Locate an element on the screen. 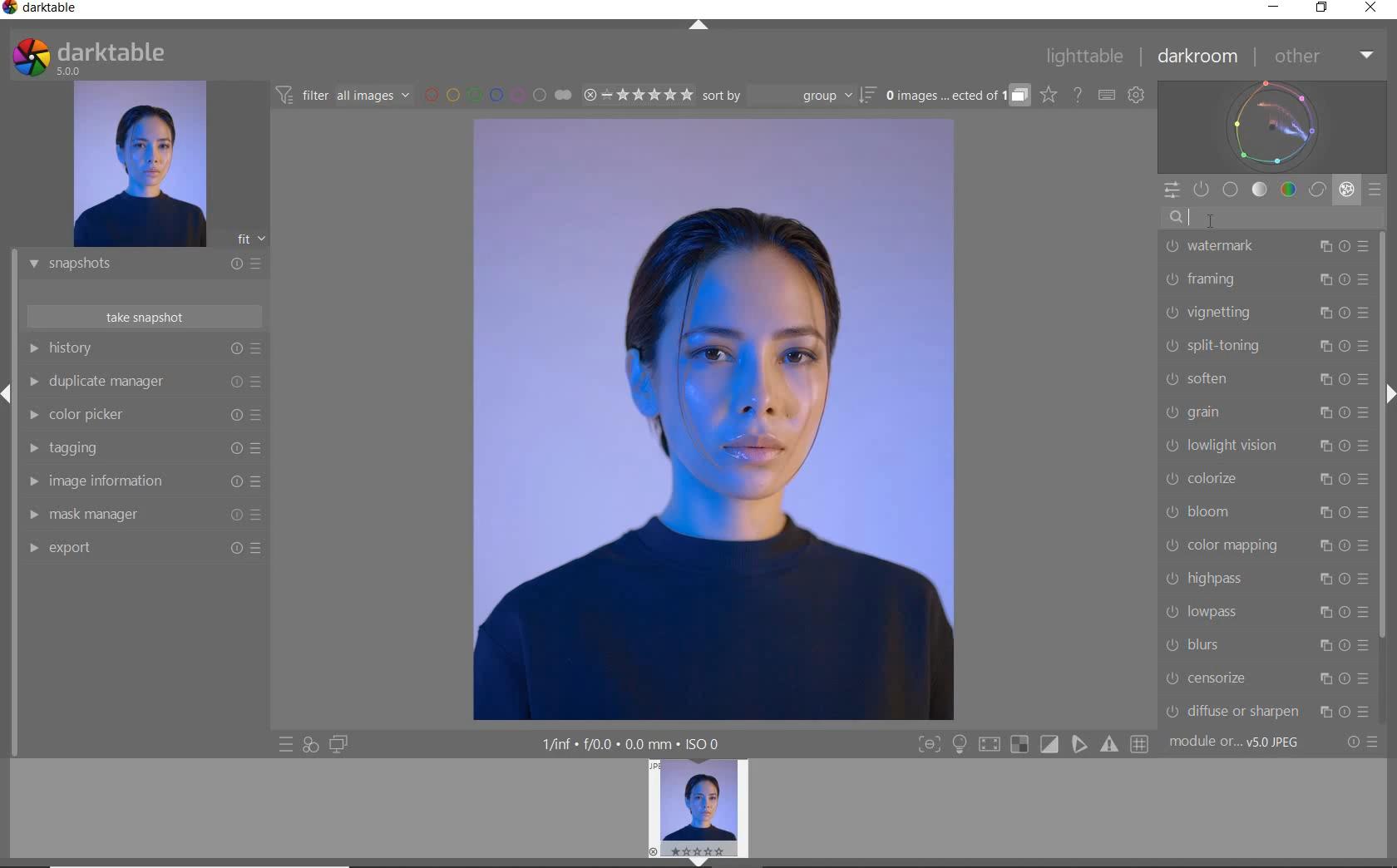 The width and height of the screenshot is (1397, 868). SHOW ONLY ACTIVE MODULES is located at coordinates (1202, 190).